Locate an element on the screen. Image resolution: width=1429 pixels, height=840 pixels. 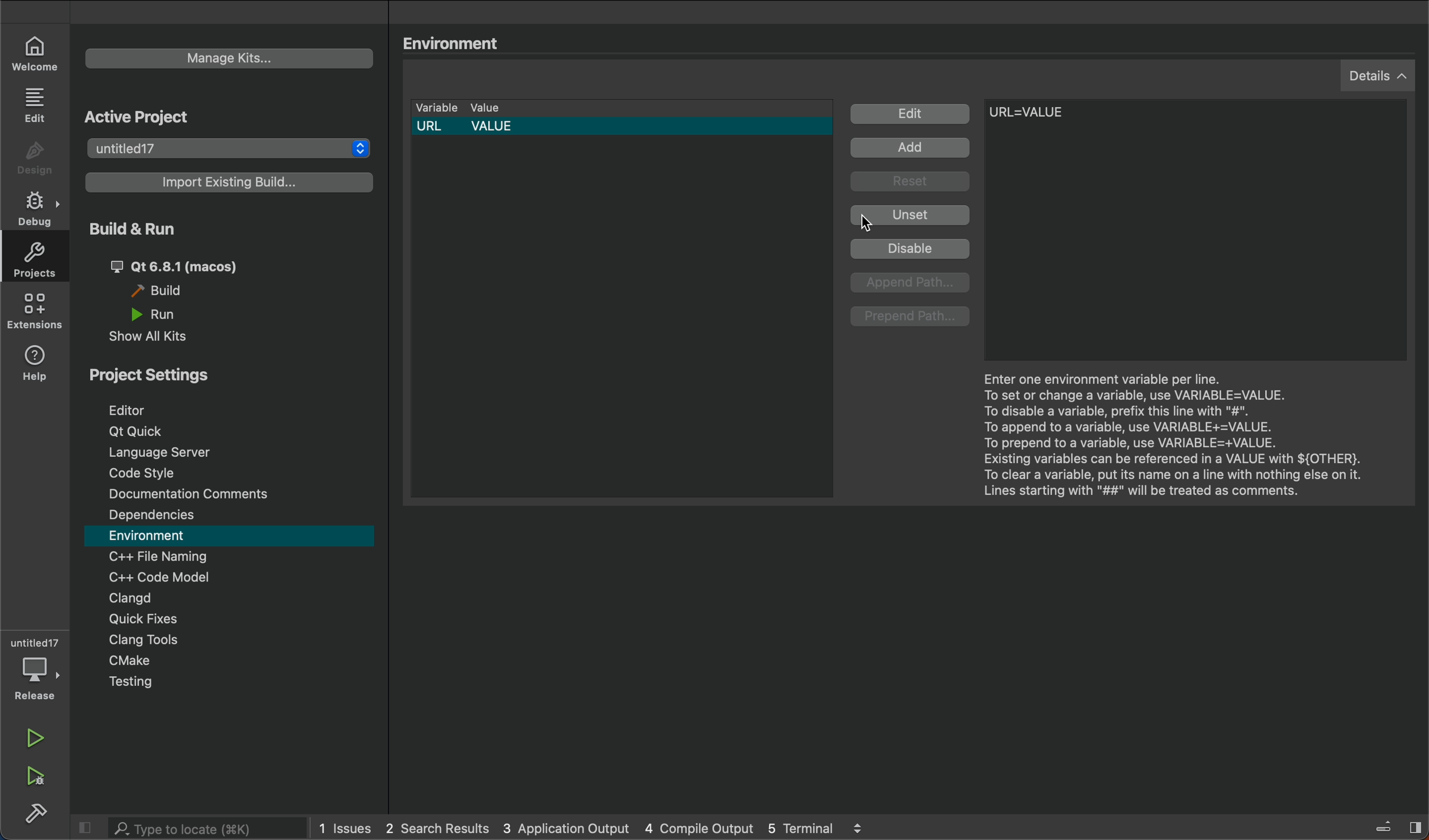
projects is located at coordinates (40, 260).